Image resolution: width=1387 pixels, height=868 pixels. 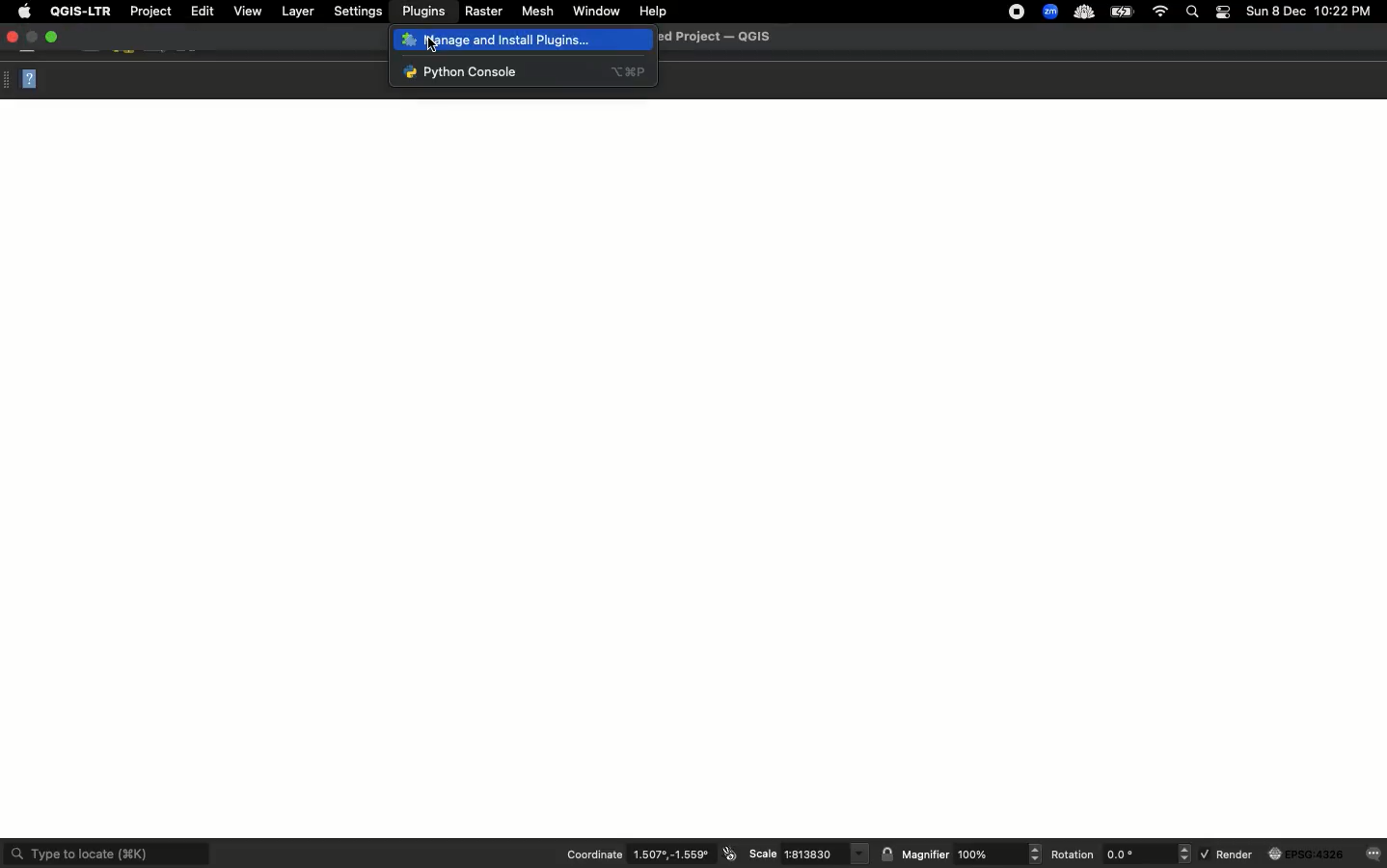 I want to click on globe, so click(x=1308, y=854).